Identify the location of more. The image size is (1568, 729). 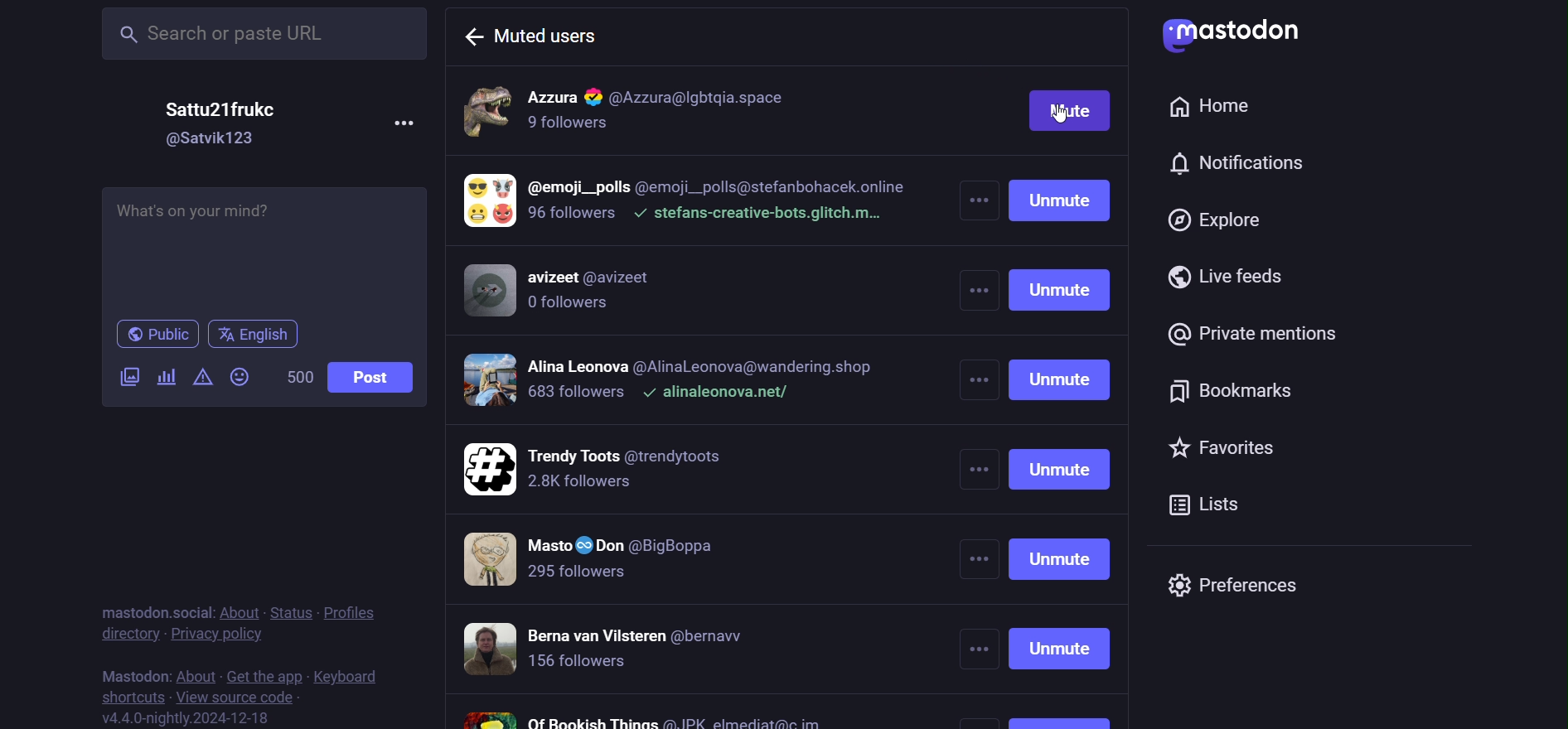
(404, 123).